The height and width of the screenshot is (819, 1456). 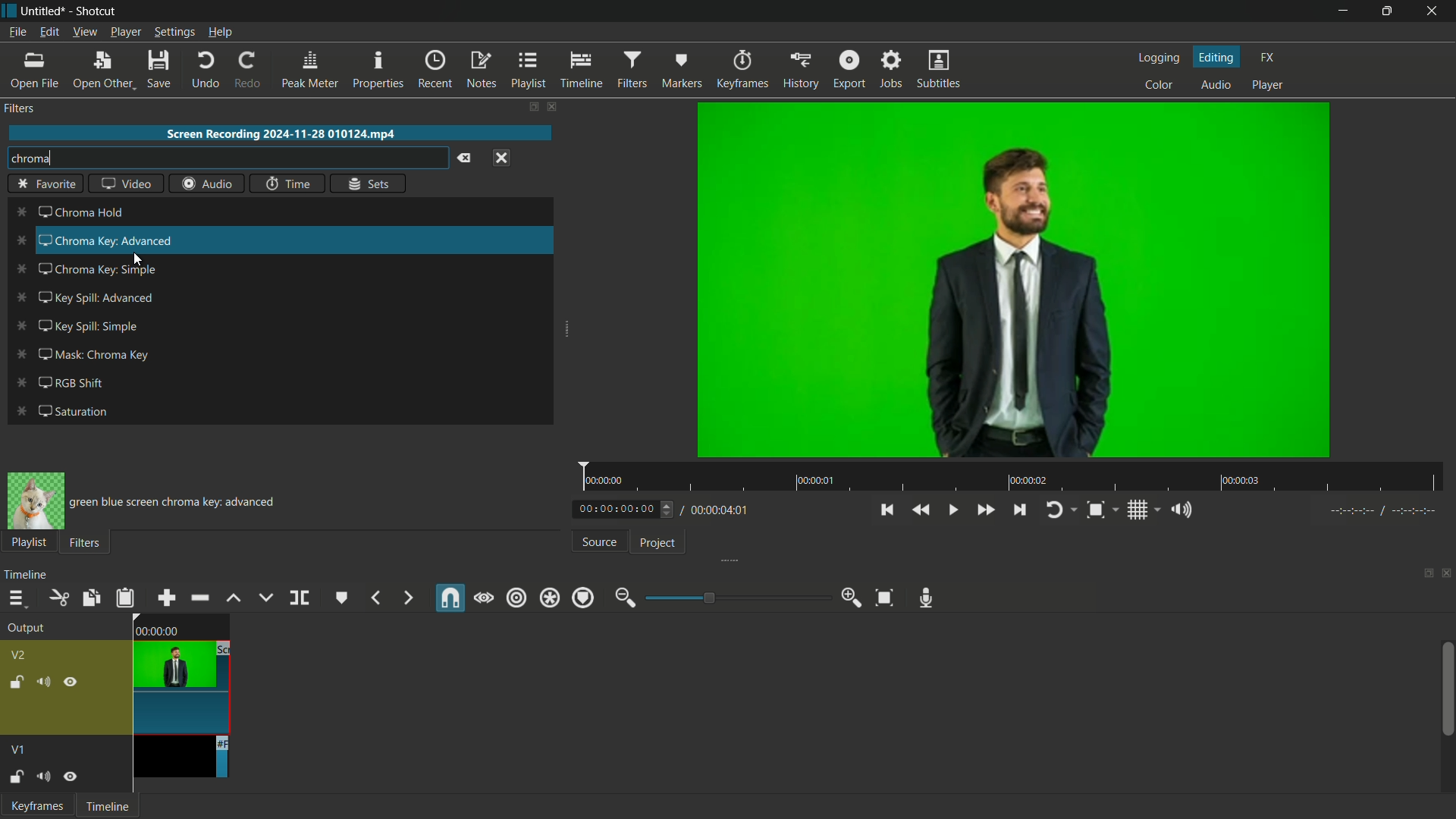 I want to click on ripple, so click(x=516, y=598).